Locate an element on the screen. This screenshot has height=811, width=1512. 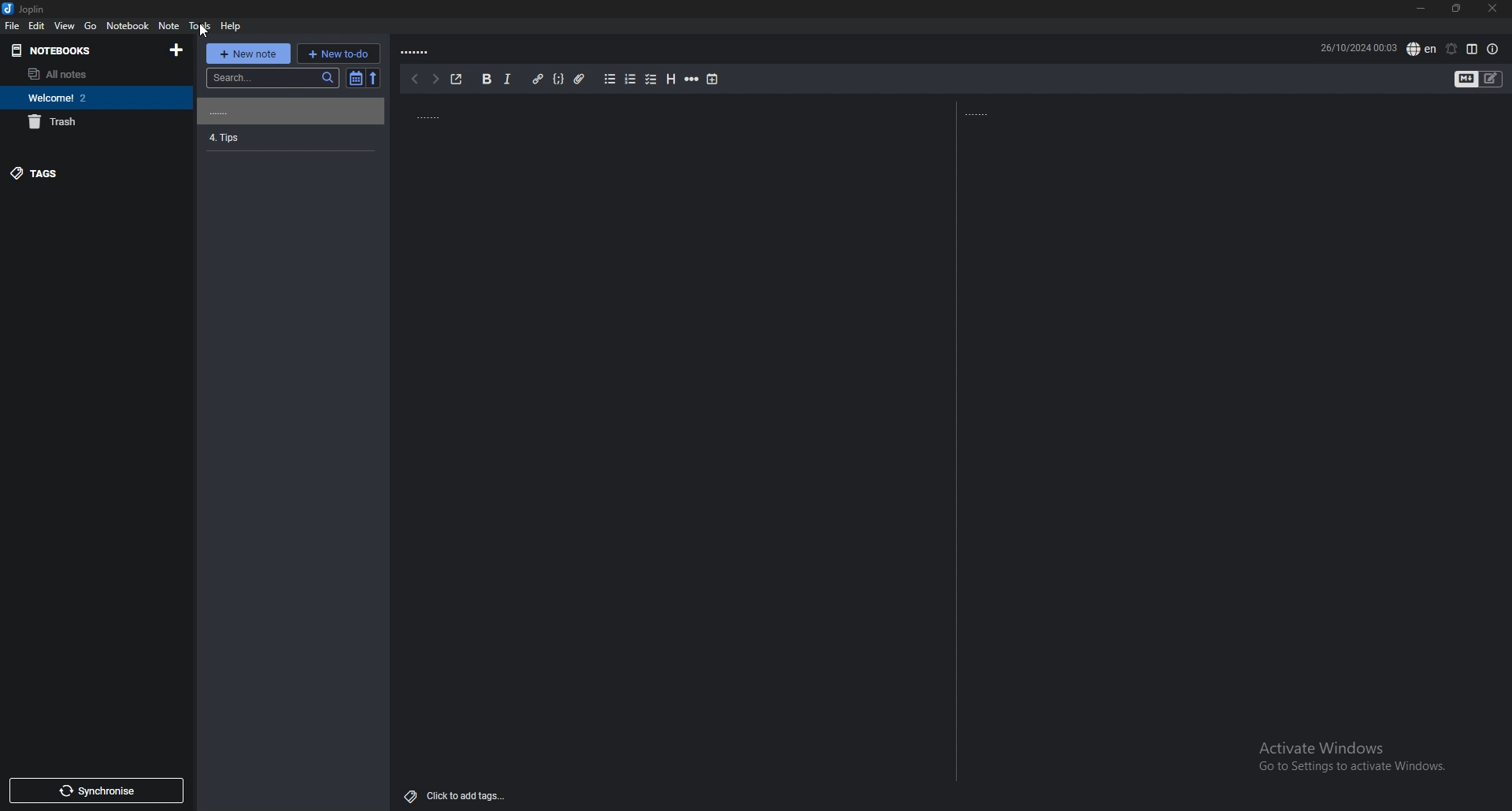
notes title is located at coordinates (424, 114).